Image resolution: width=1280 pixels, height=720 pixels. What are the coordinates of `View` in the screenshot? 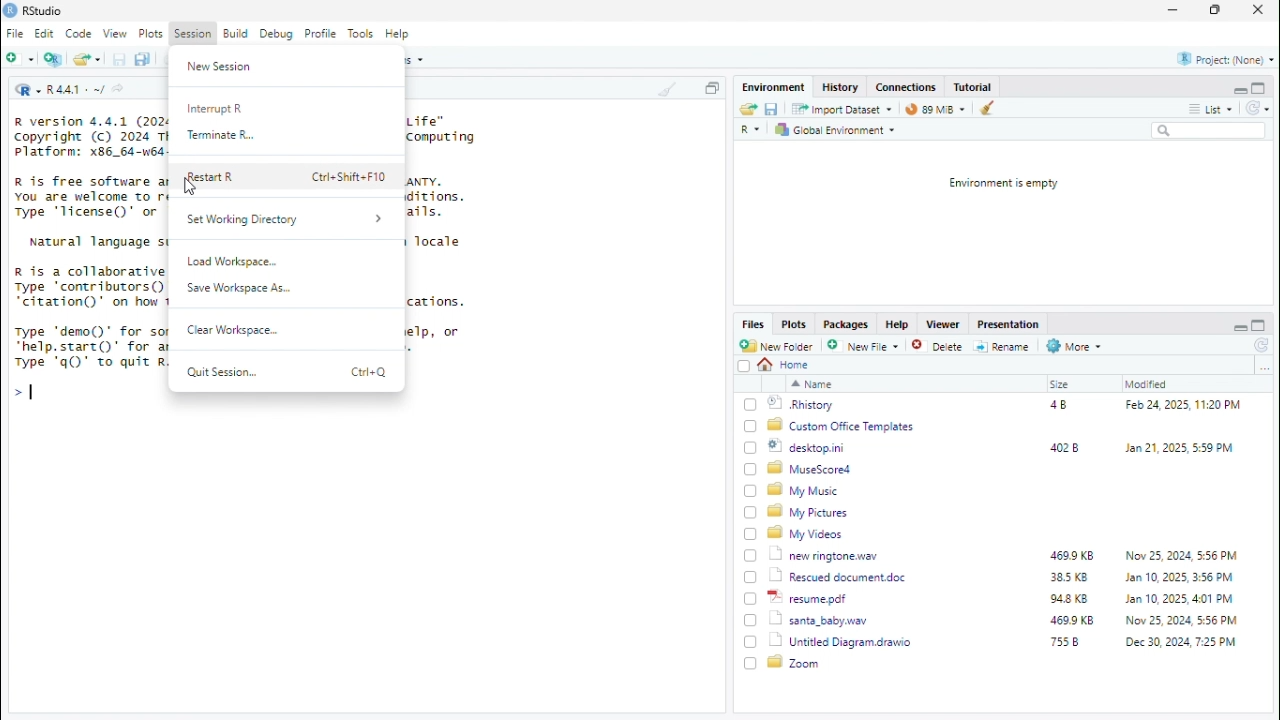 It's located at (115, 34).